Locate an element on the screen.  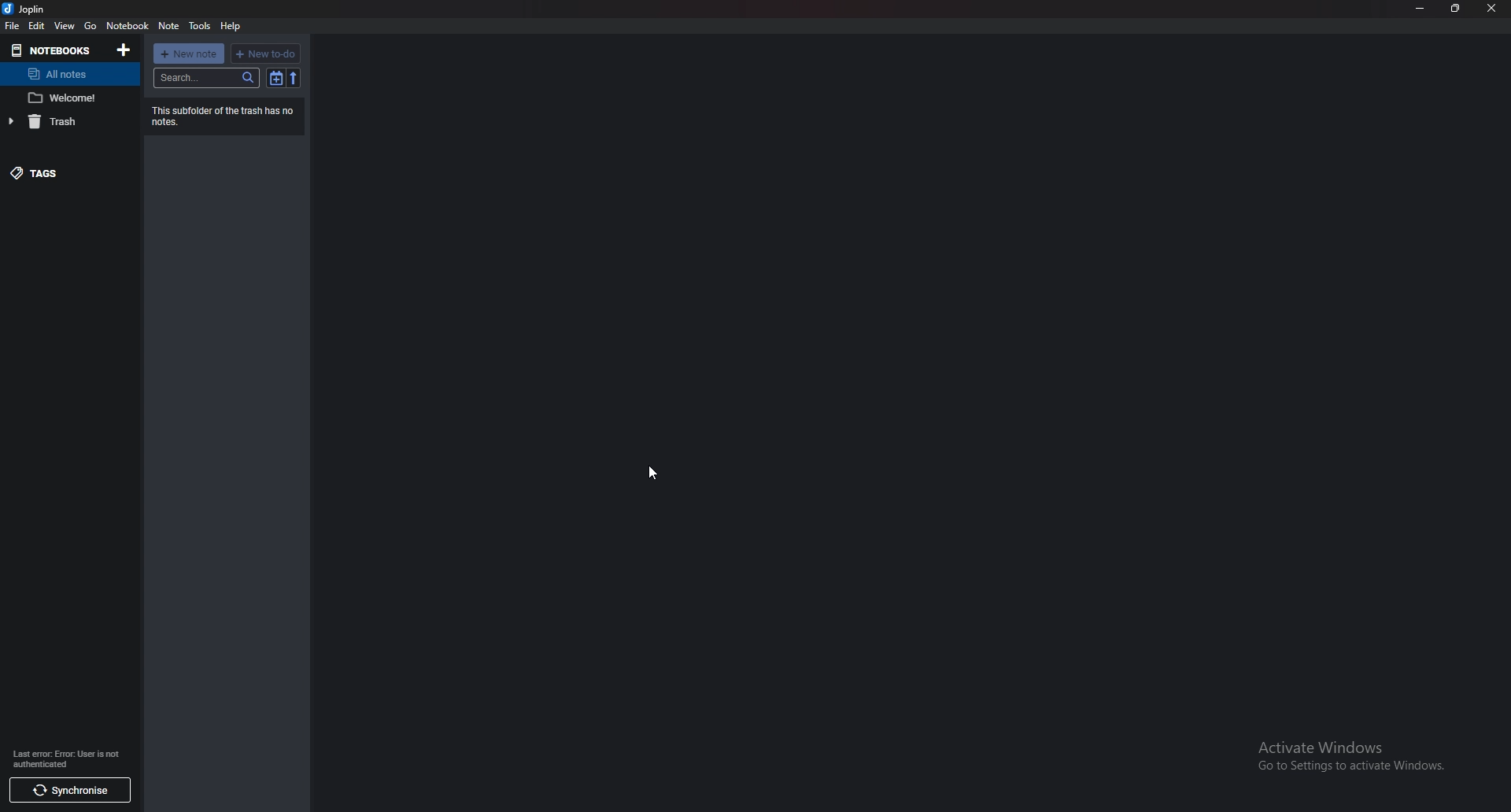
welcome is located at coordinates (68, 97).